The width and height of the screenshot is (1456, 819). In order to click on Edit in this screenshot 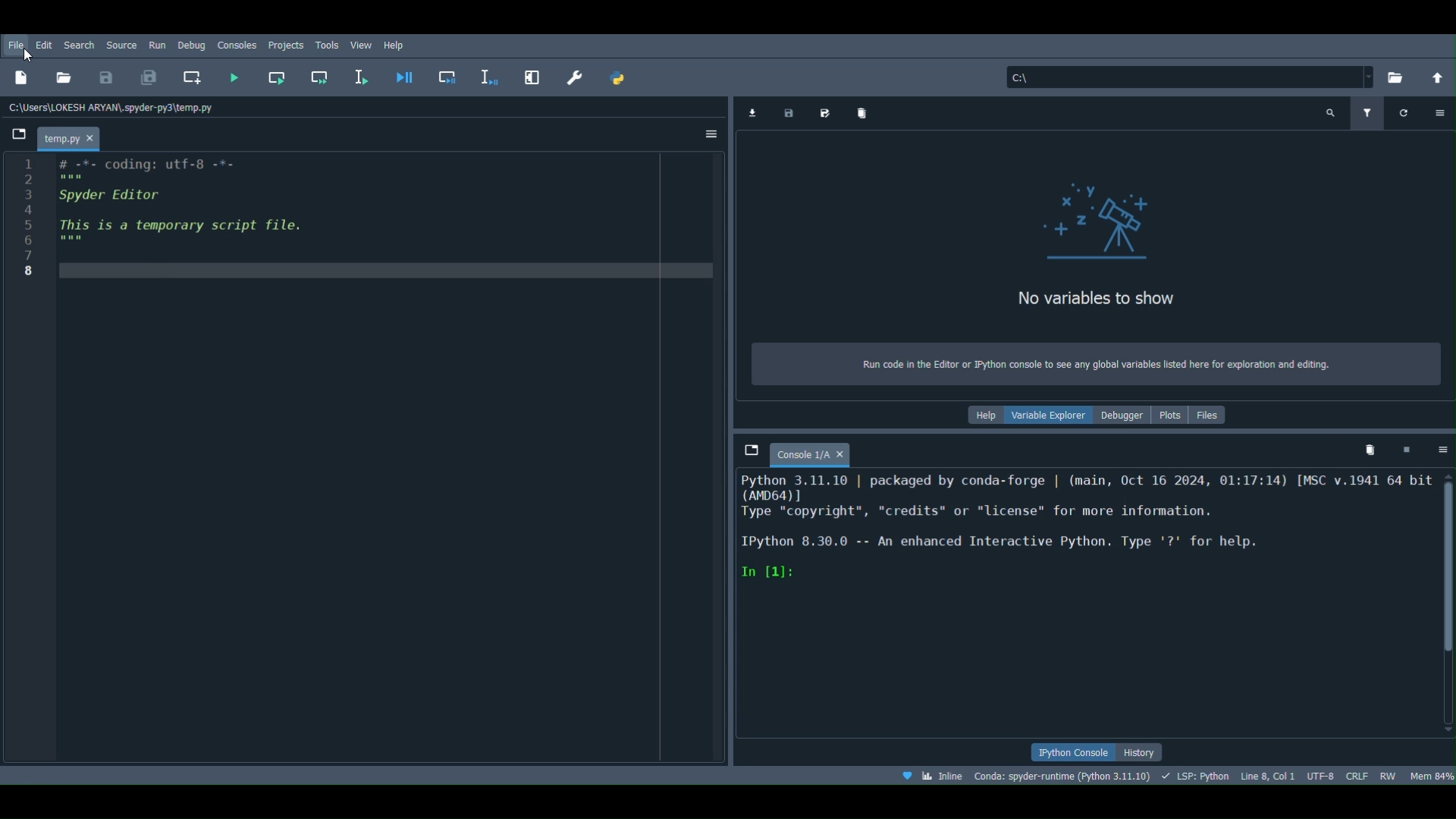, I will do `click(45, 43)`.